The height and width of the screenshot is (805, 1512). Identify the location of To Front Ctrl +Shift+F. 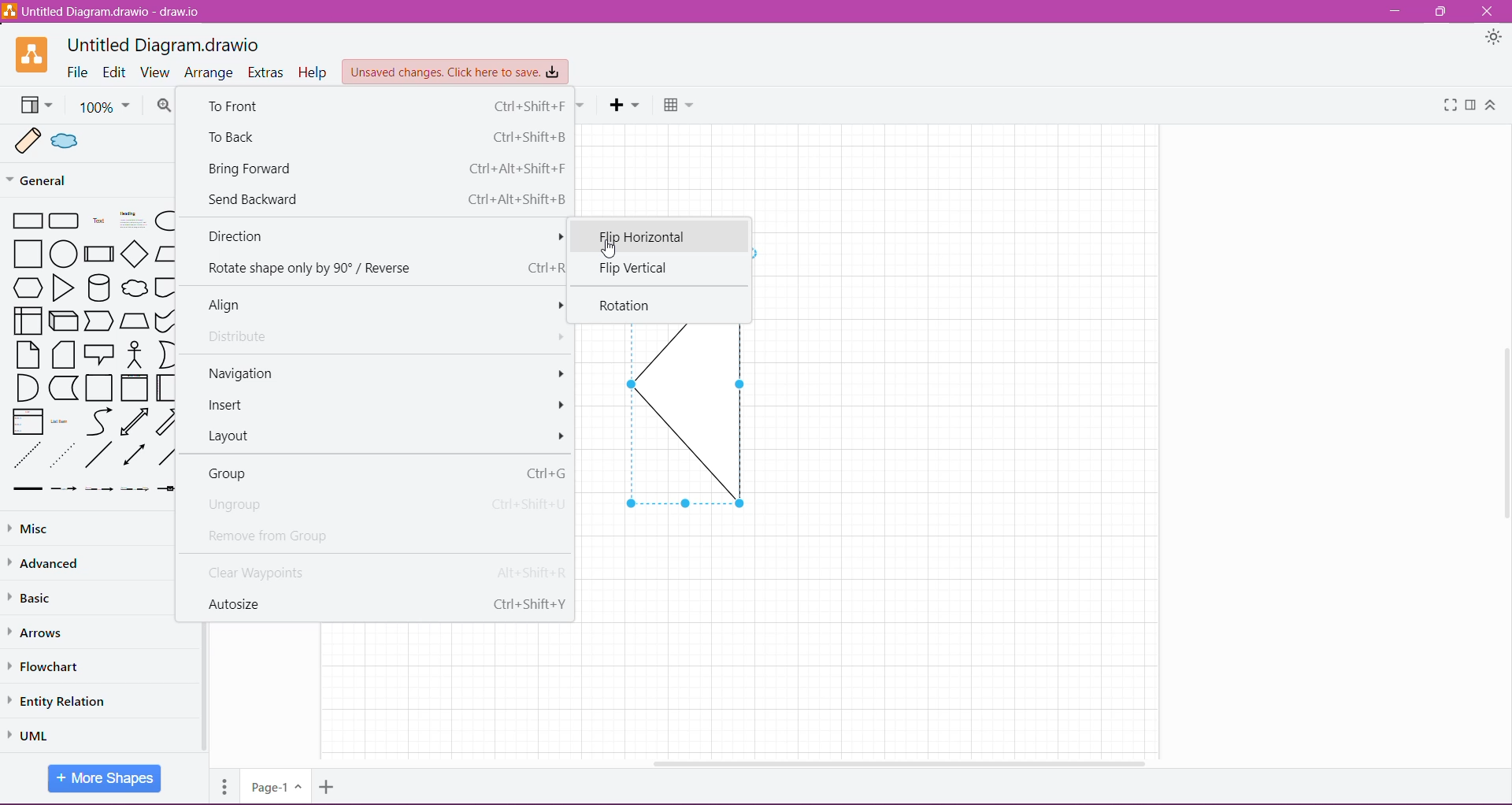
(385, 107).